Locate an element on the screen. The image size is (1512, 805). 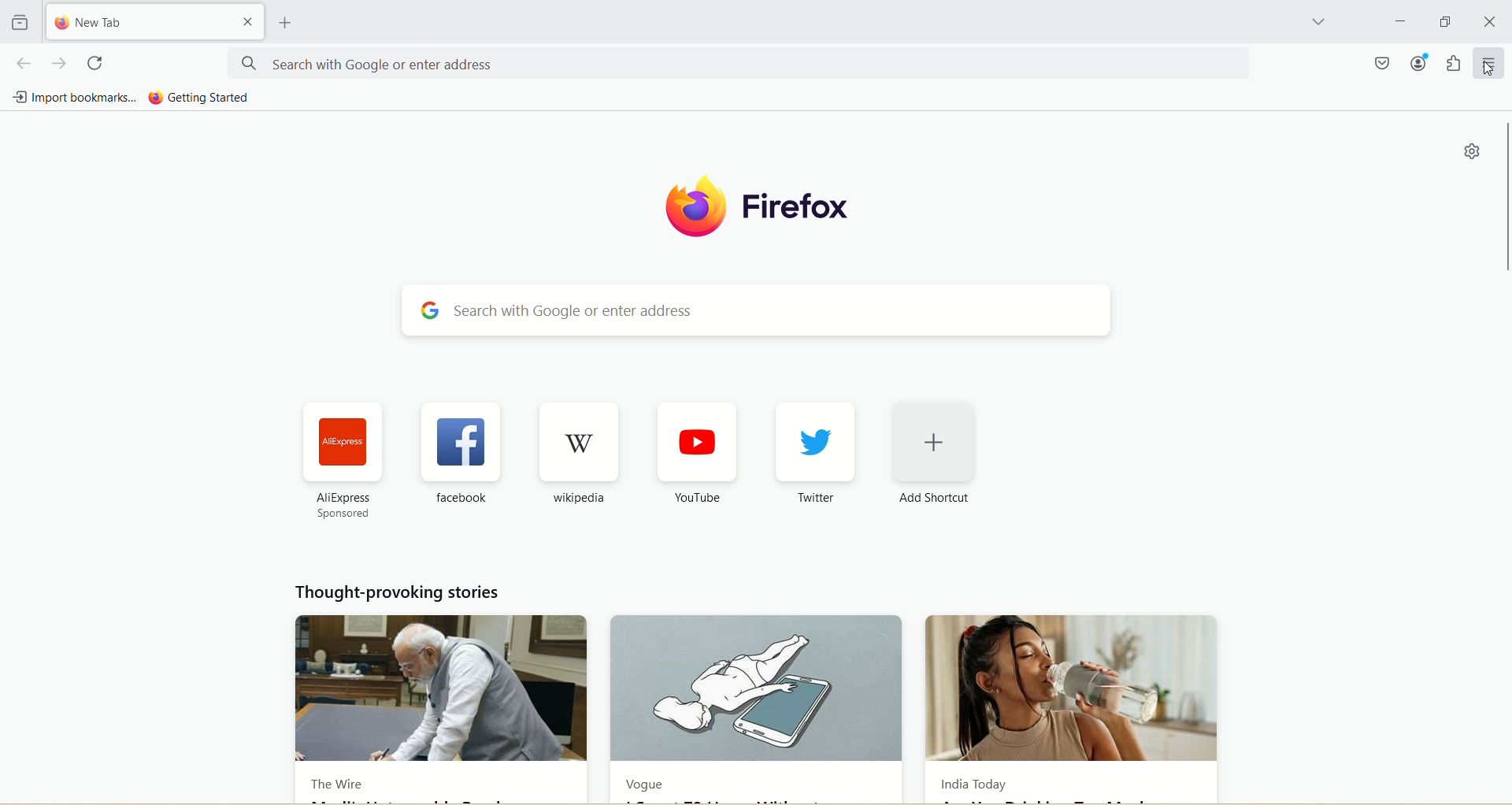
account is located at coordinates (1421, 64).